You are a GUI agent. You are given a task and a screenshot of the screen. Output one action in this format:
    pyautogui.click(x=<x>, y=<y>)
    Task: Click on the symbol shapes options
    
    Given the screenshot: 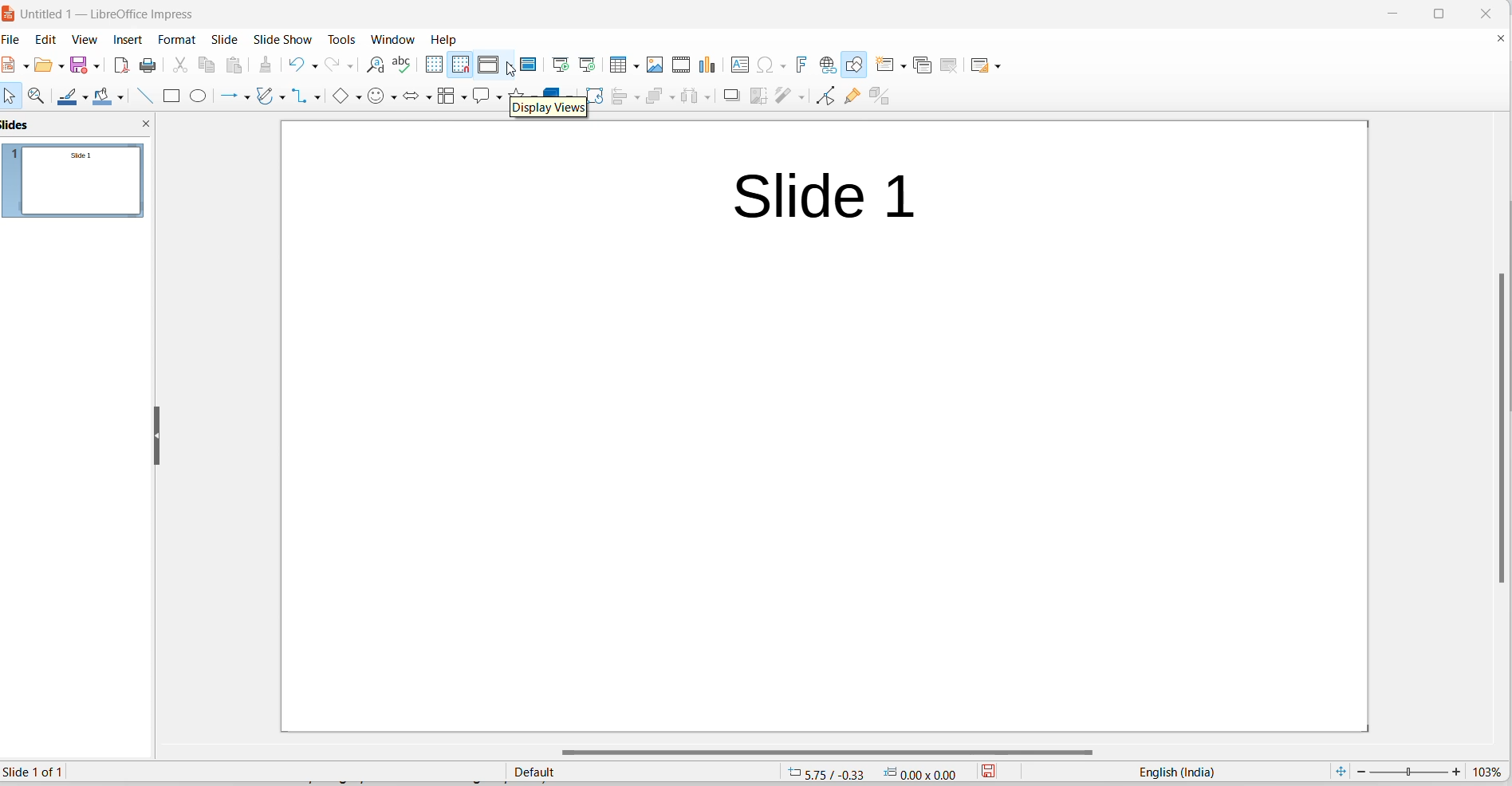 What is the action you would take?
    pyautogui.click(x=395, y=99)
    